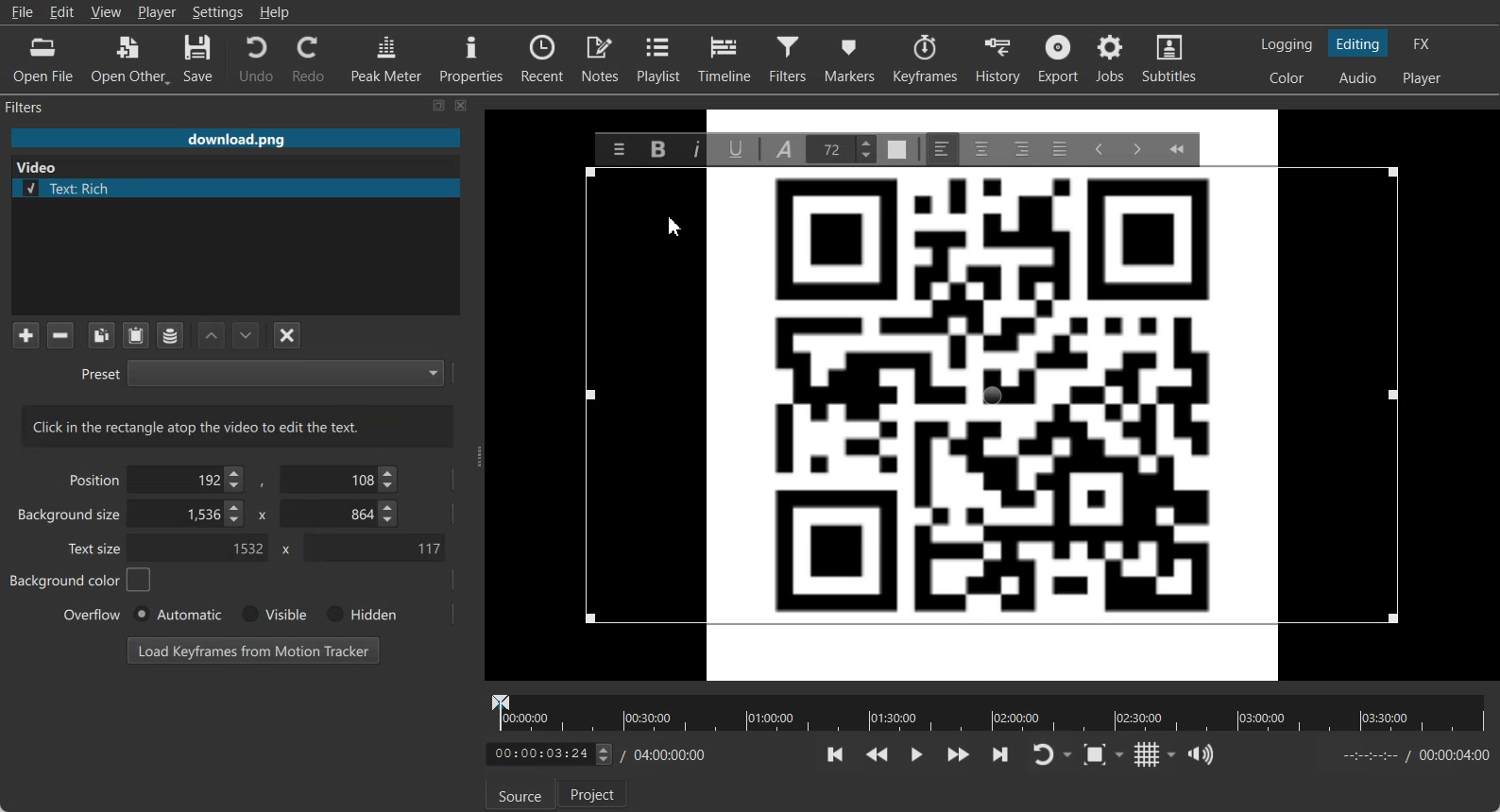 This screenshot has width=1500, height=812. Describe the element at coordinates (988, 711) in the screenshot. I see `Video timeline` at that location.